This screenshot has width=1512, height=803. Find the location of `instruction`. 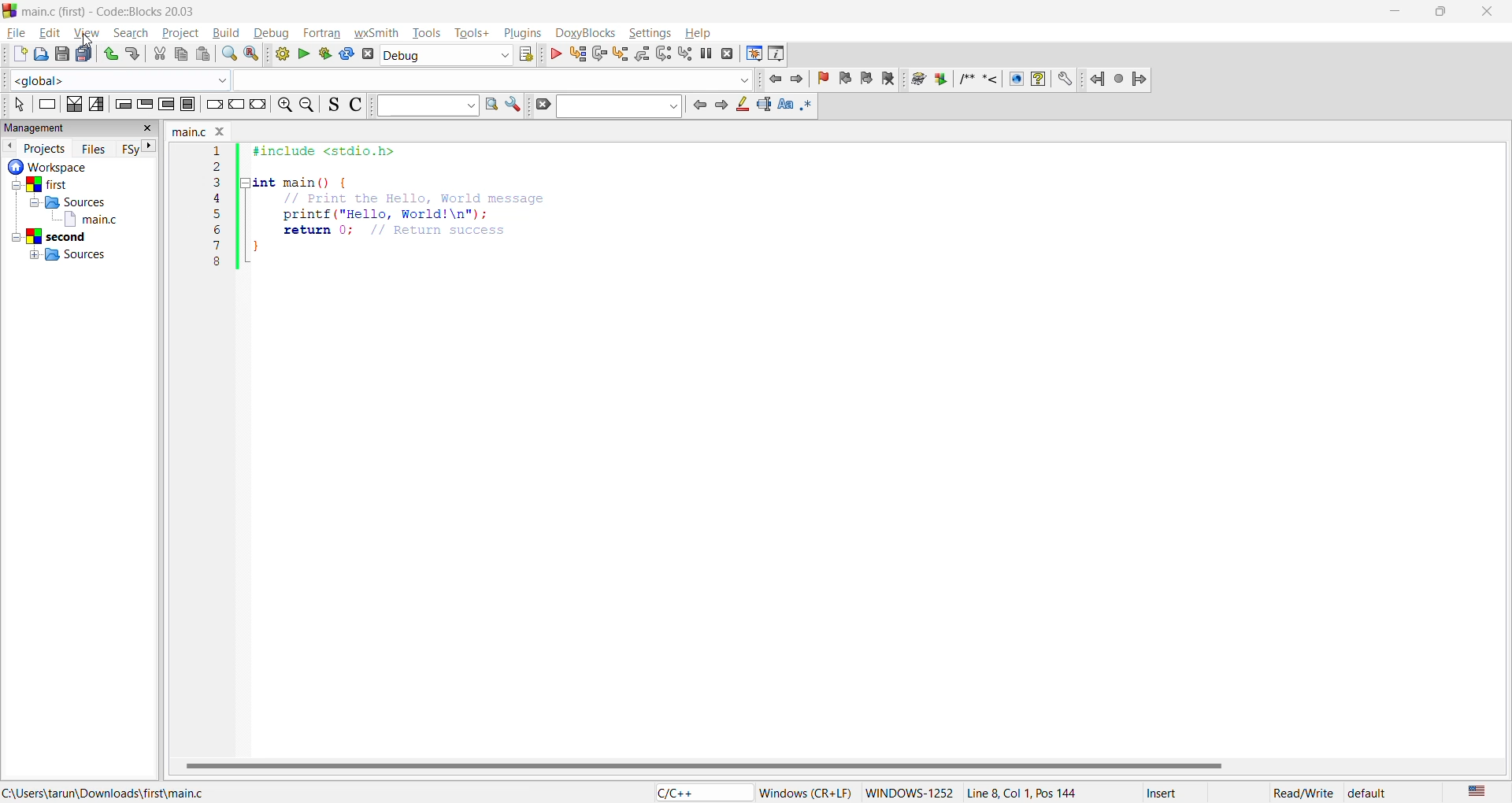

instruction is located at coordinates (46, 103).